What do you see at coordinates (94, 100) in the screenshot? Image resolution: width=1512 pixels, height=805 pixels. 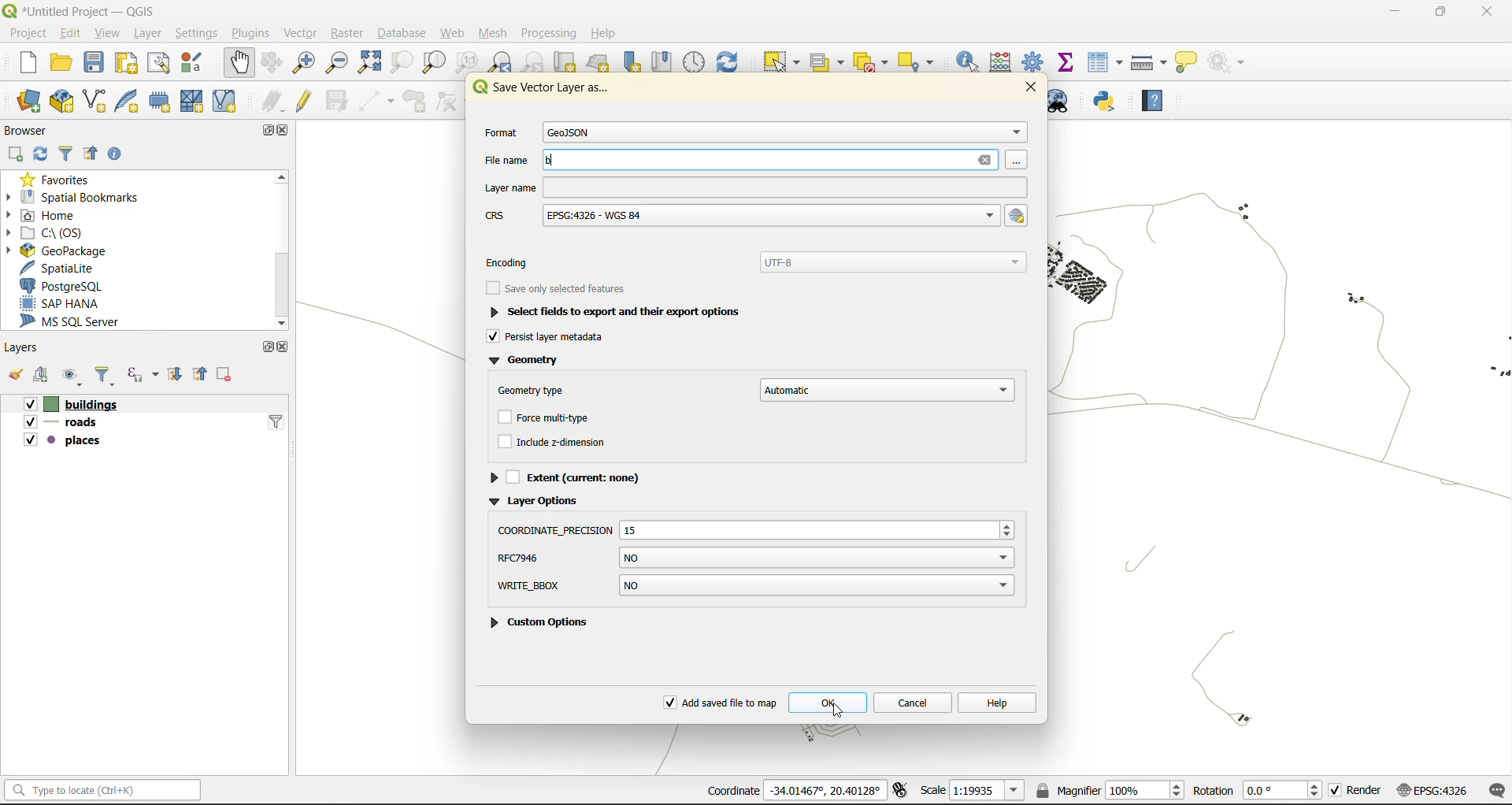 I see `new shapefile` at bounding box center [94, 100].